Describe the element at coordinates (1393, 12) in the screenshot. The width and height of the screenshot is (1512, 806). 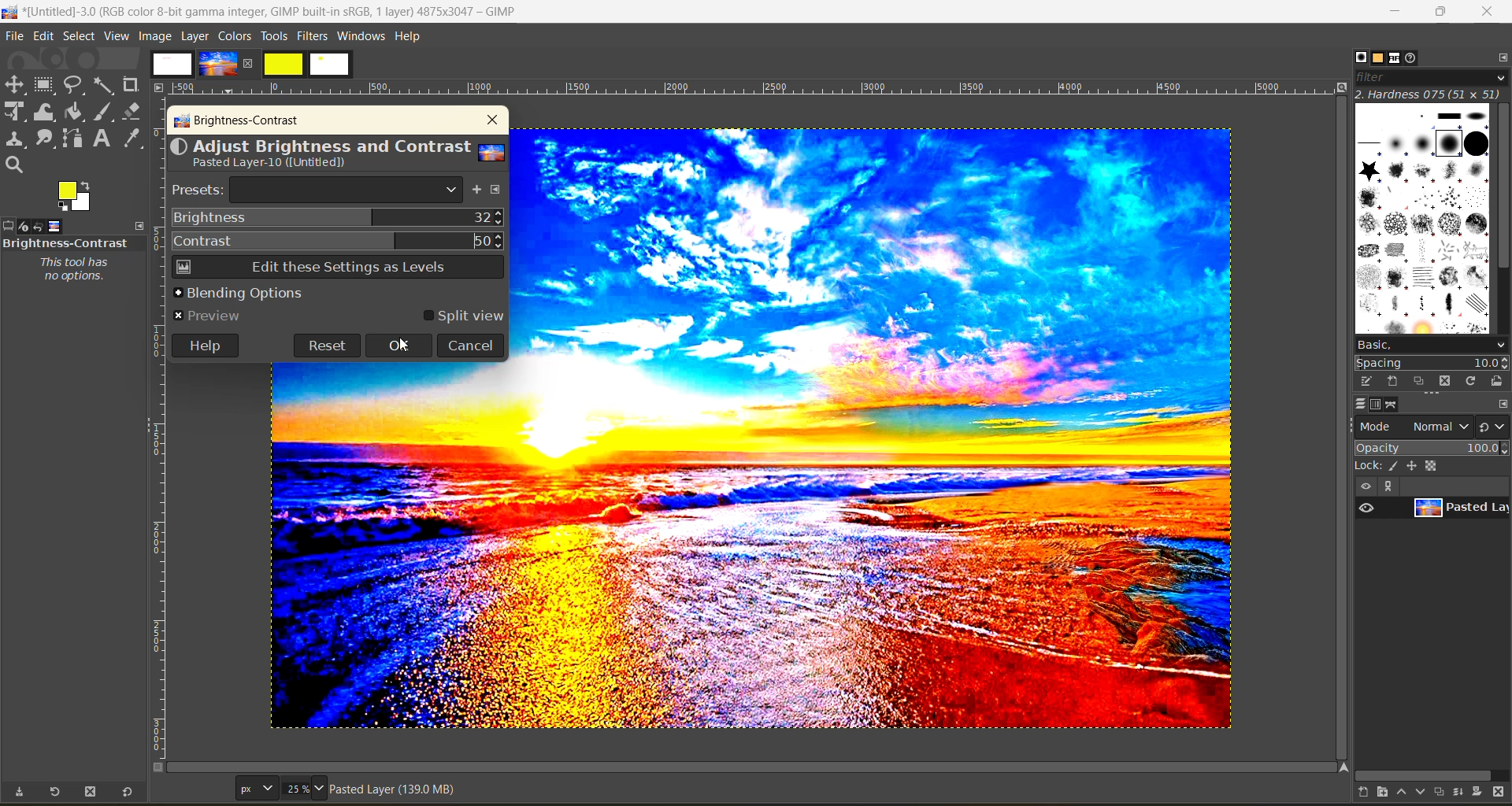
I see `minimize` at that location.